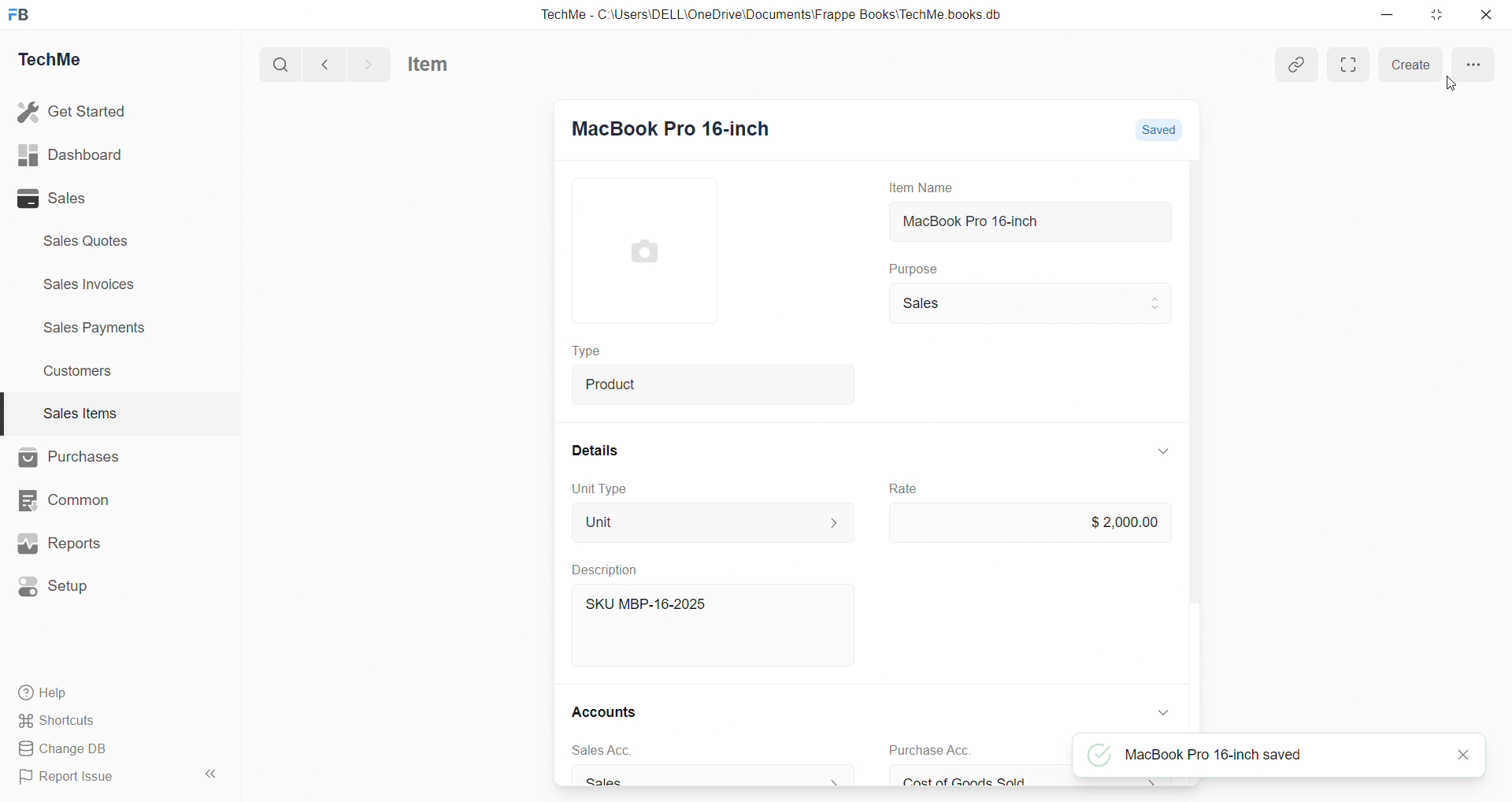 This screenshot has width=1512, height=802. I want to click on Rate, so click(902, 488).